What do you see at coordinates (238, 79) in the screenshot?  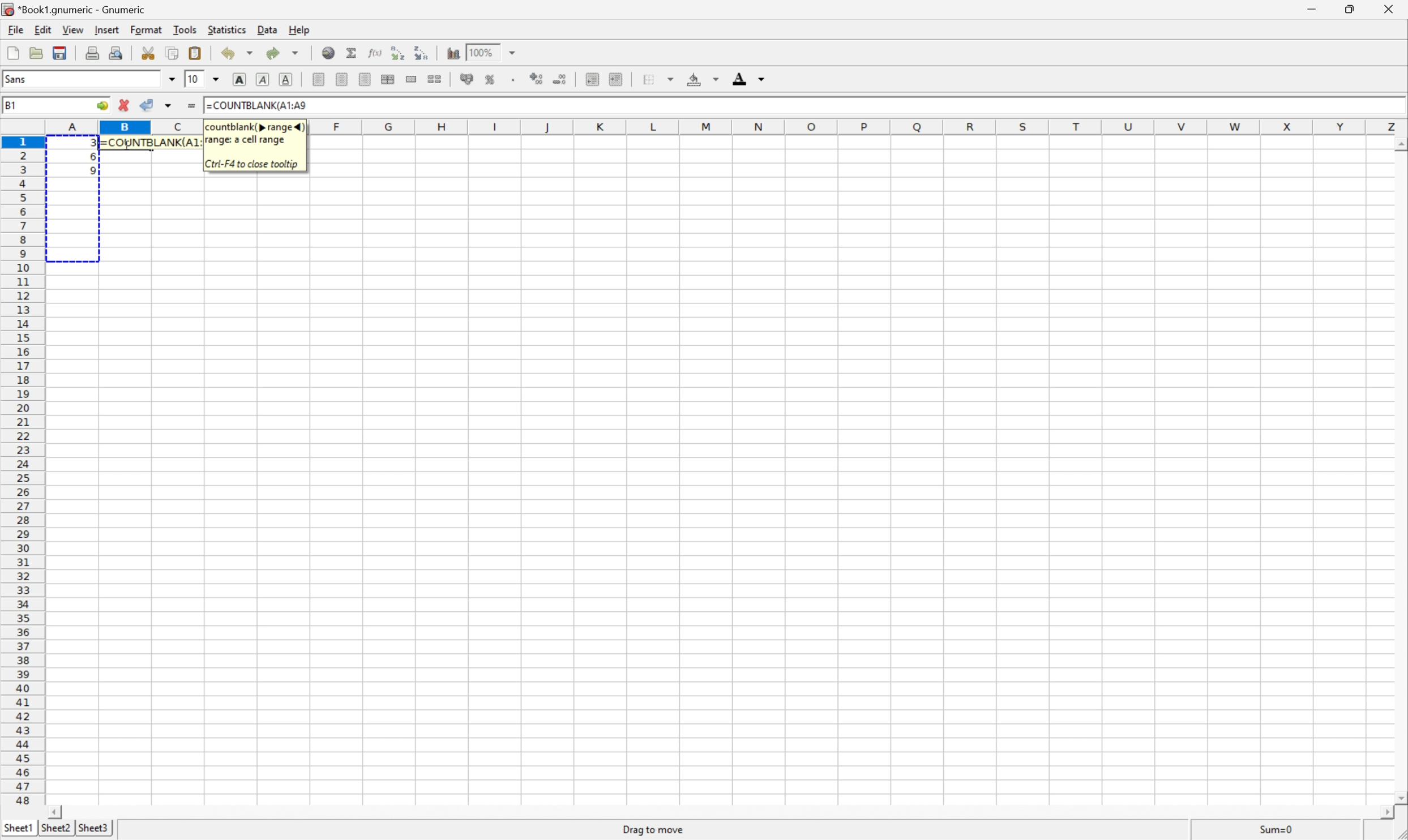 I see `Bold` at bounding box center [238, 79].